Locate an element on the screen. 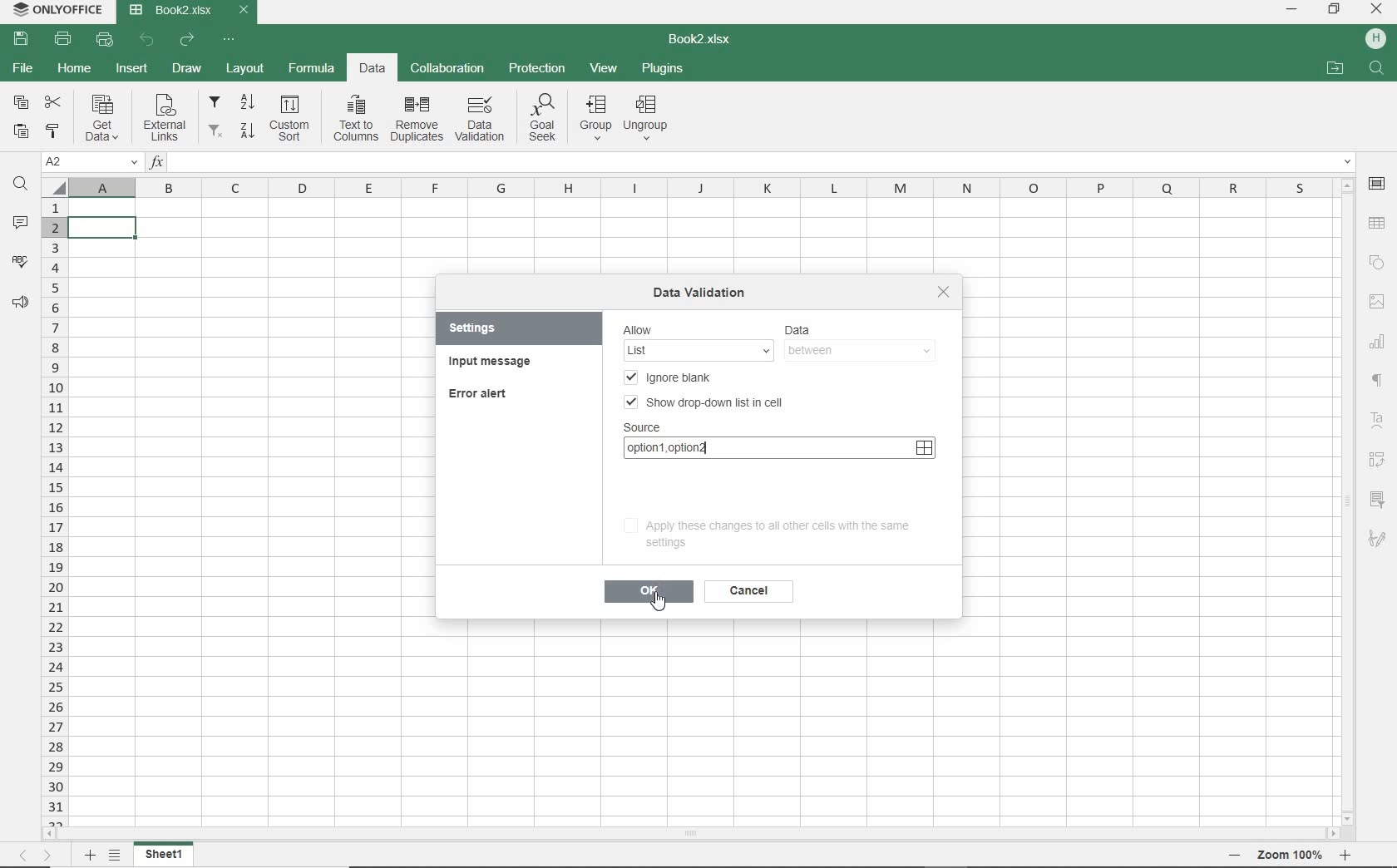 The image size is (1397, 868). ungroup is located at coordinates (645, 118).